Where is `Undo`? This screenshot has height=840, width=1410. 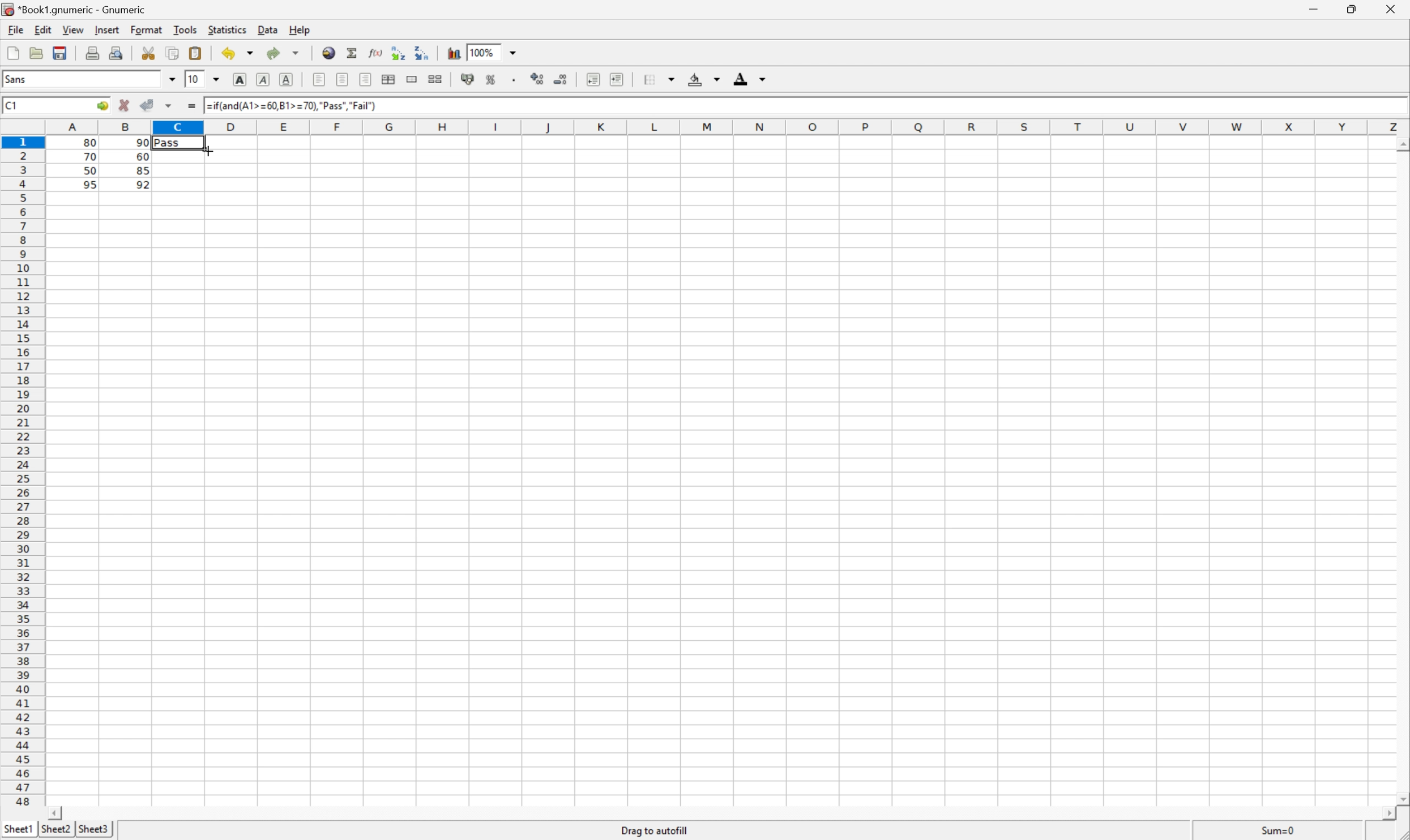
Undo is located at coordinates (228, 54).